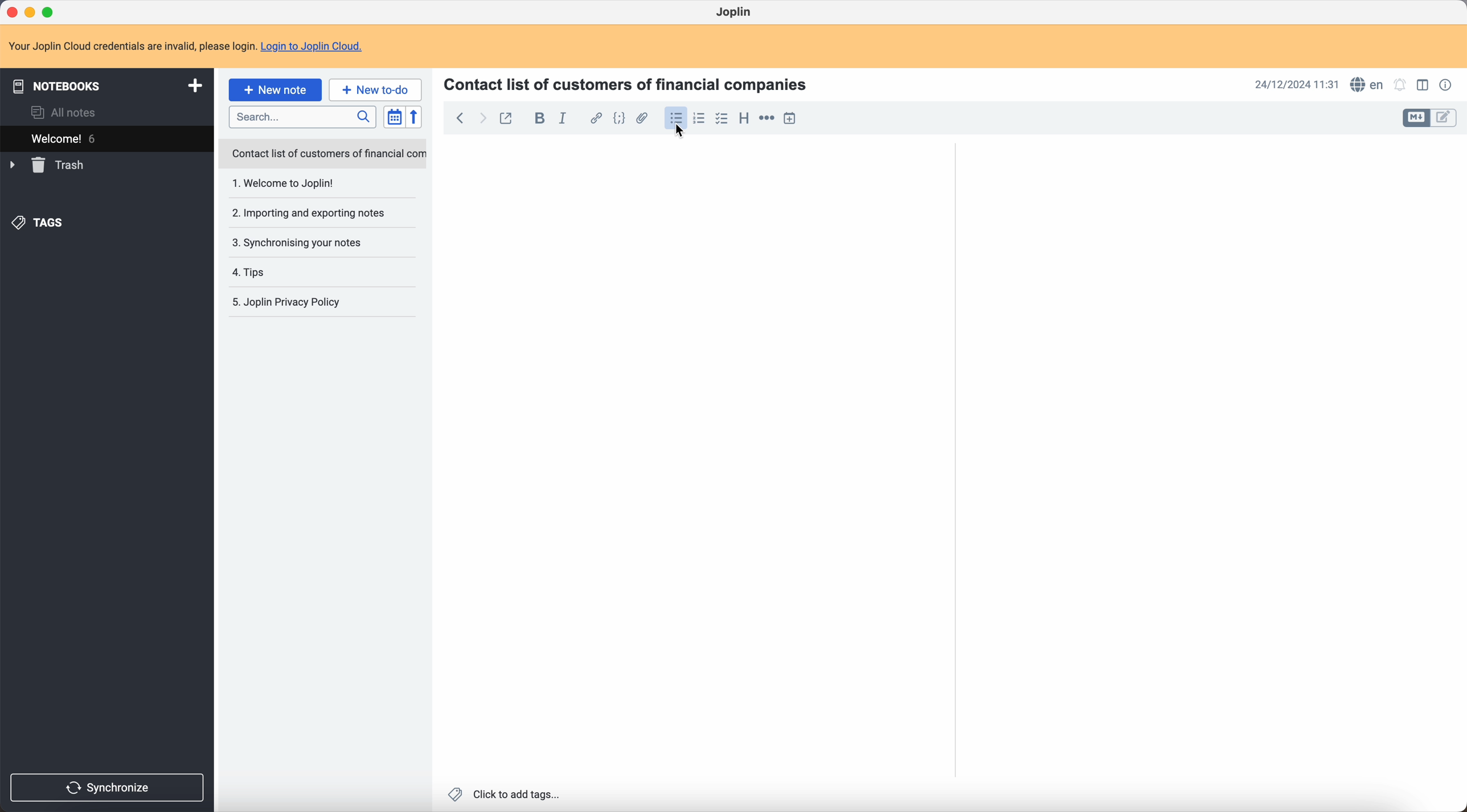 The height and width of the screenshot is (812, 1467). Describe the element at coordinates (48, 165) in the screenshot. I see `trash` at that location.